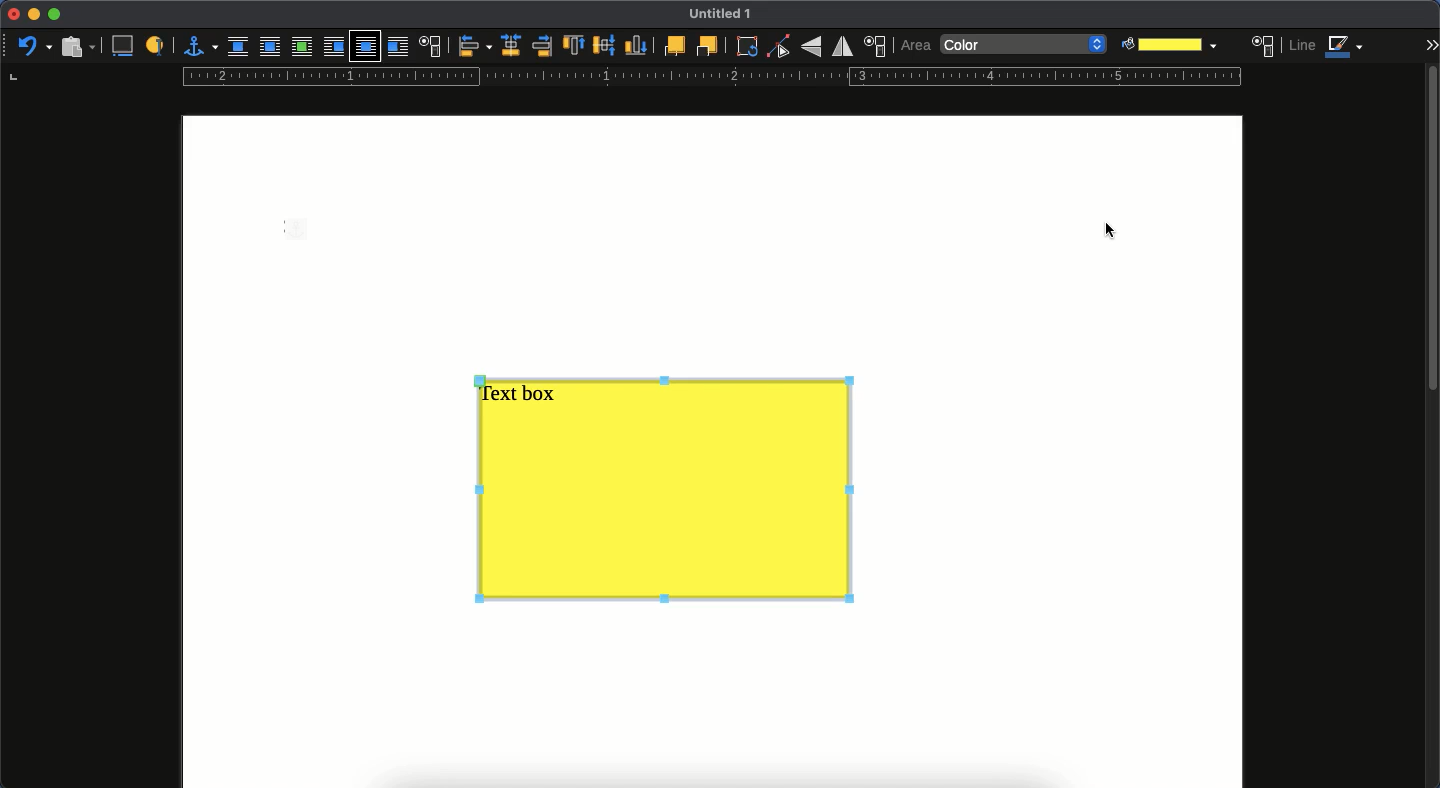 The width and height of the screenshot is (1440, 788). I want to click on after, so click(400, 49).